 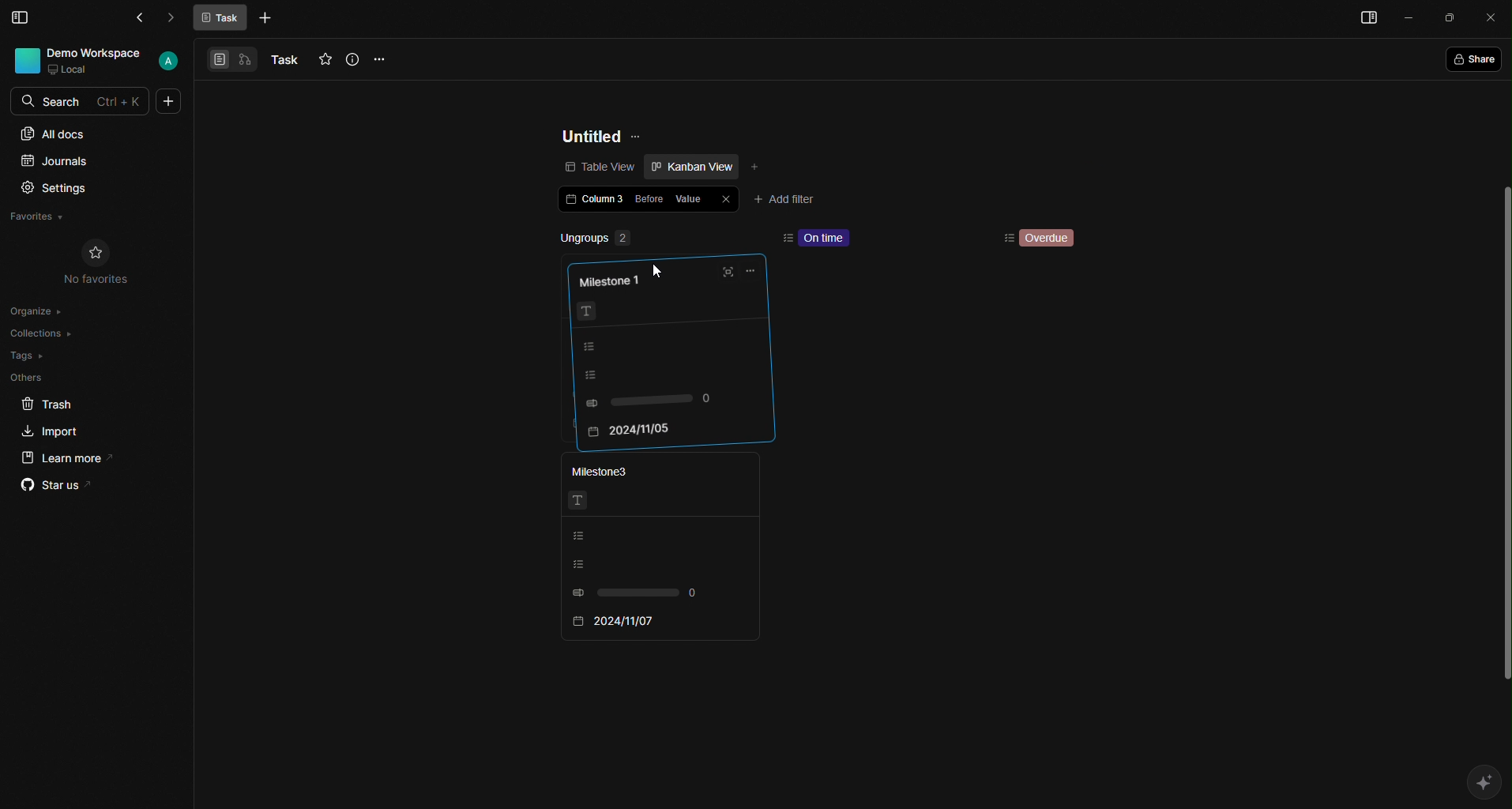 I want to click on Menu bar, so click(x=1364, y=20).